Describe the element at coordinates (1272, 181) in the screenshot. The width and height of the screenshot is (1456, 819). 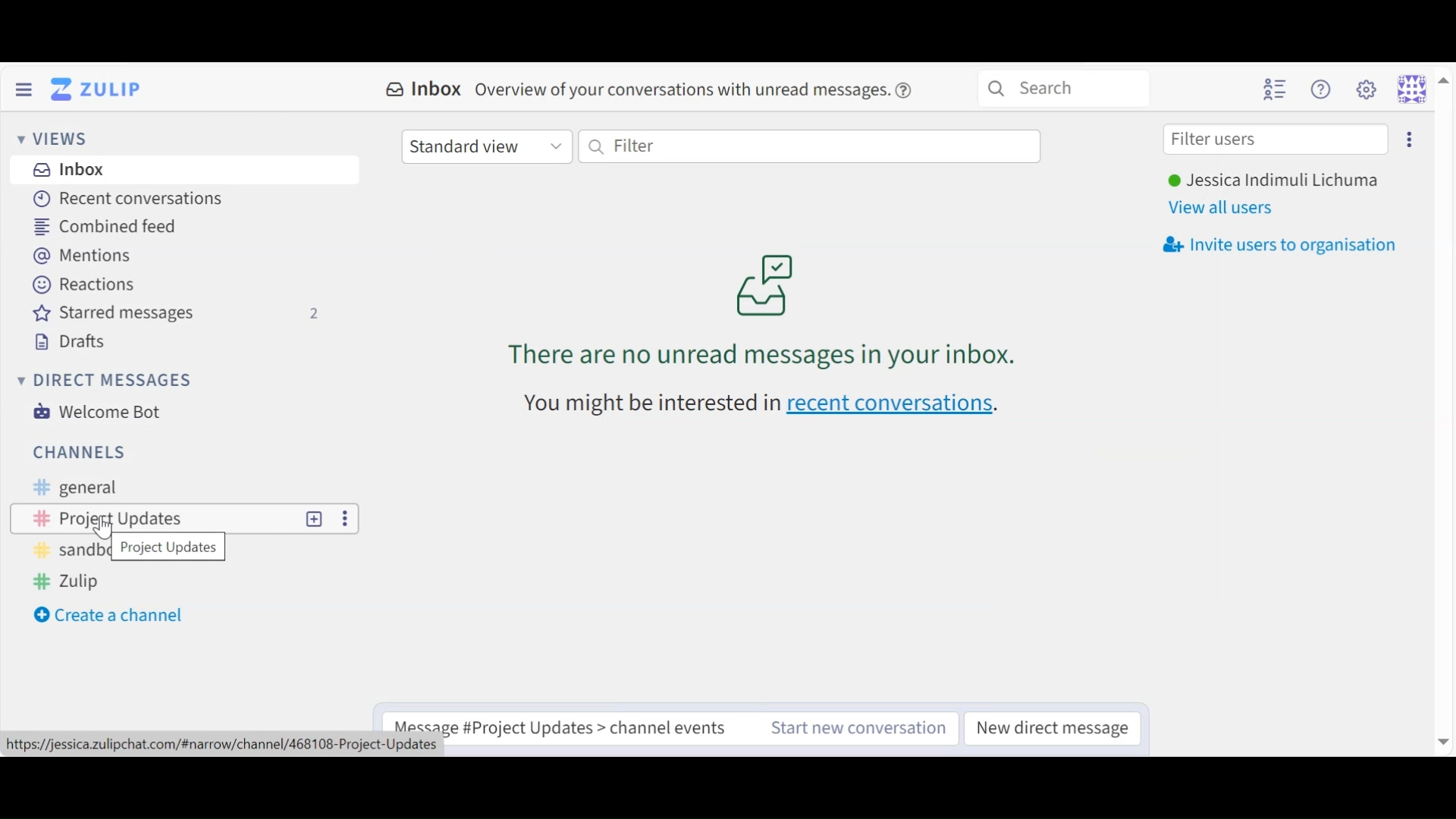
I see `Username` at that location.